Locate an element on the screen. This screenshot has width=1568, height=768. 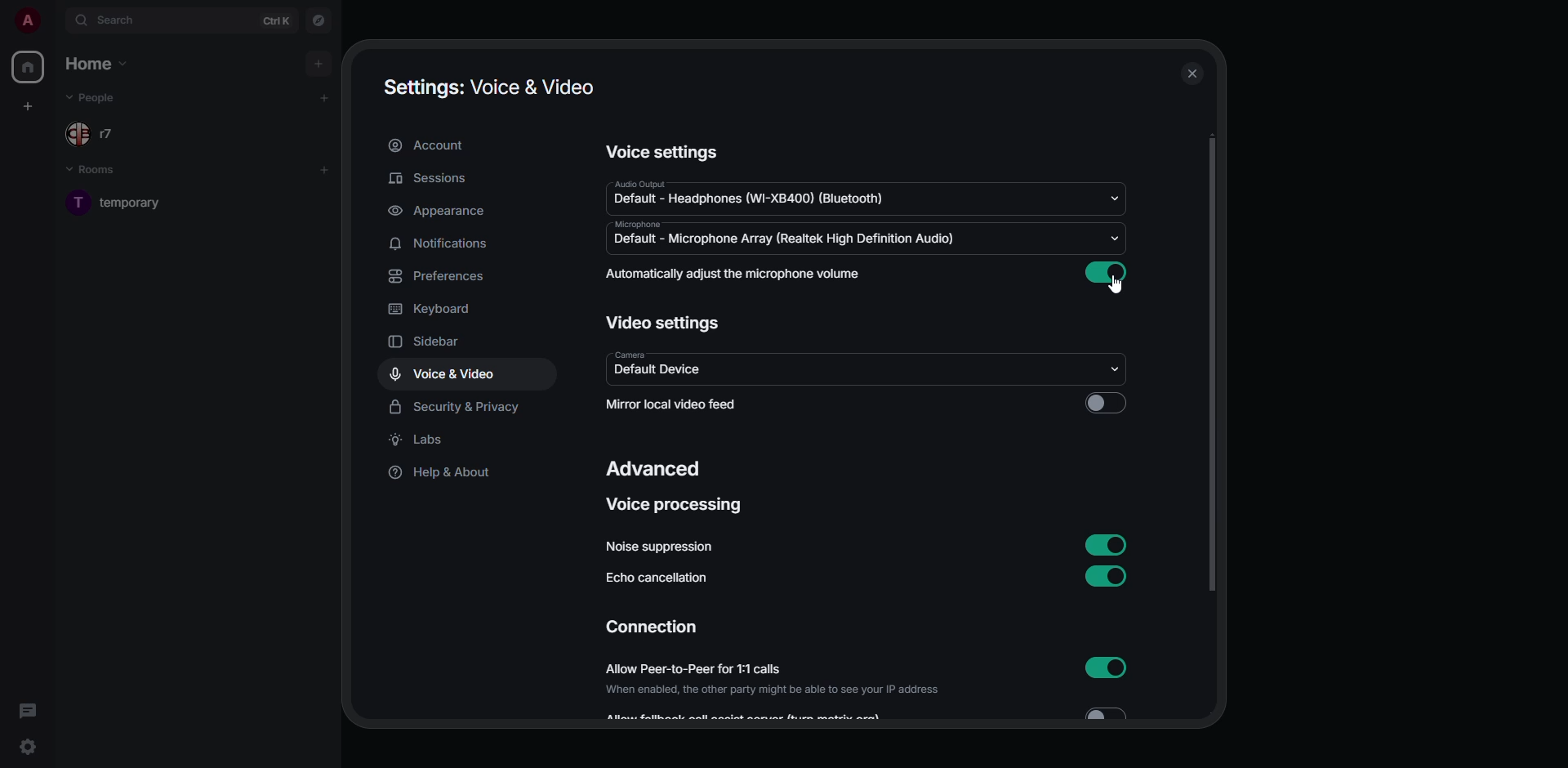
echo cancellation is located at coordinates (661, 576).